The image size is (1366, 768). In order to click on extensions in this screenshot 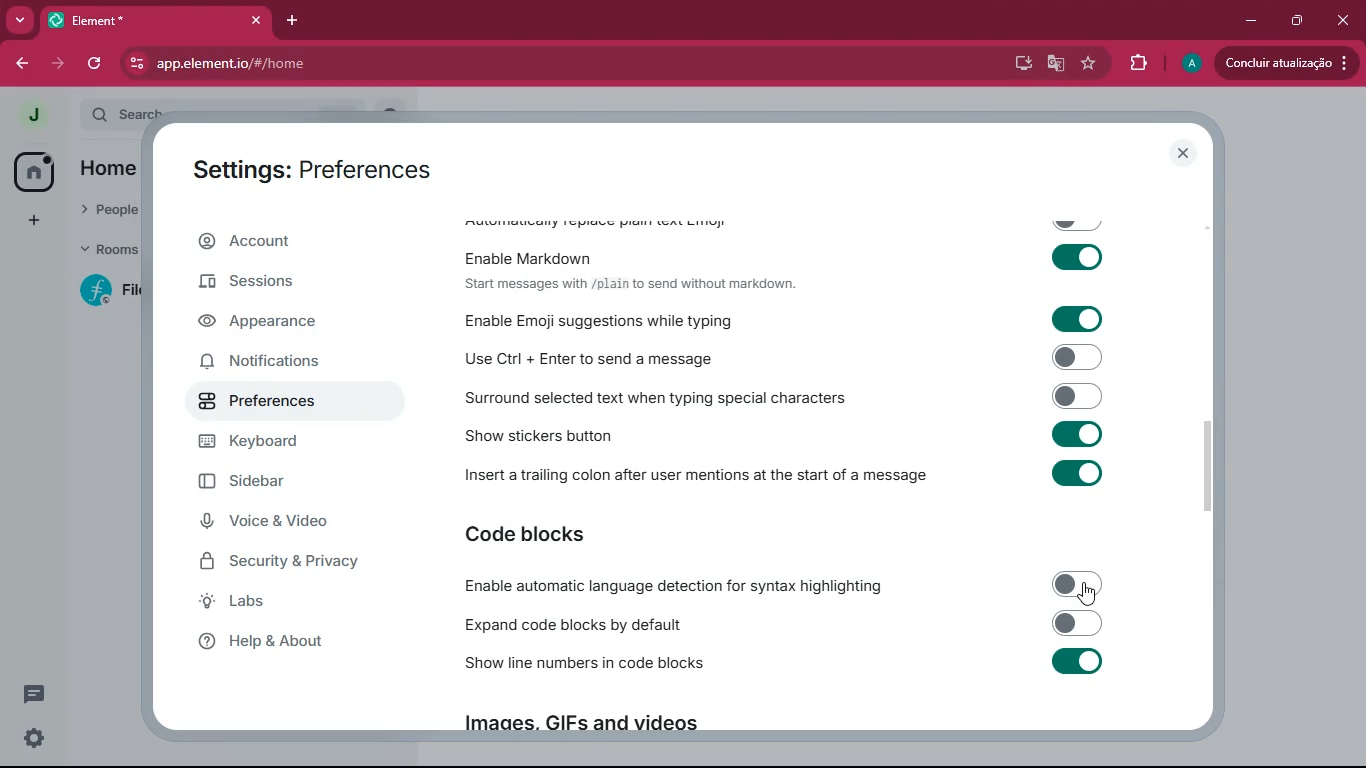, I will do `click(1137, 66)`.